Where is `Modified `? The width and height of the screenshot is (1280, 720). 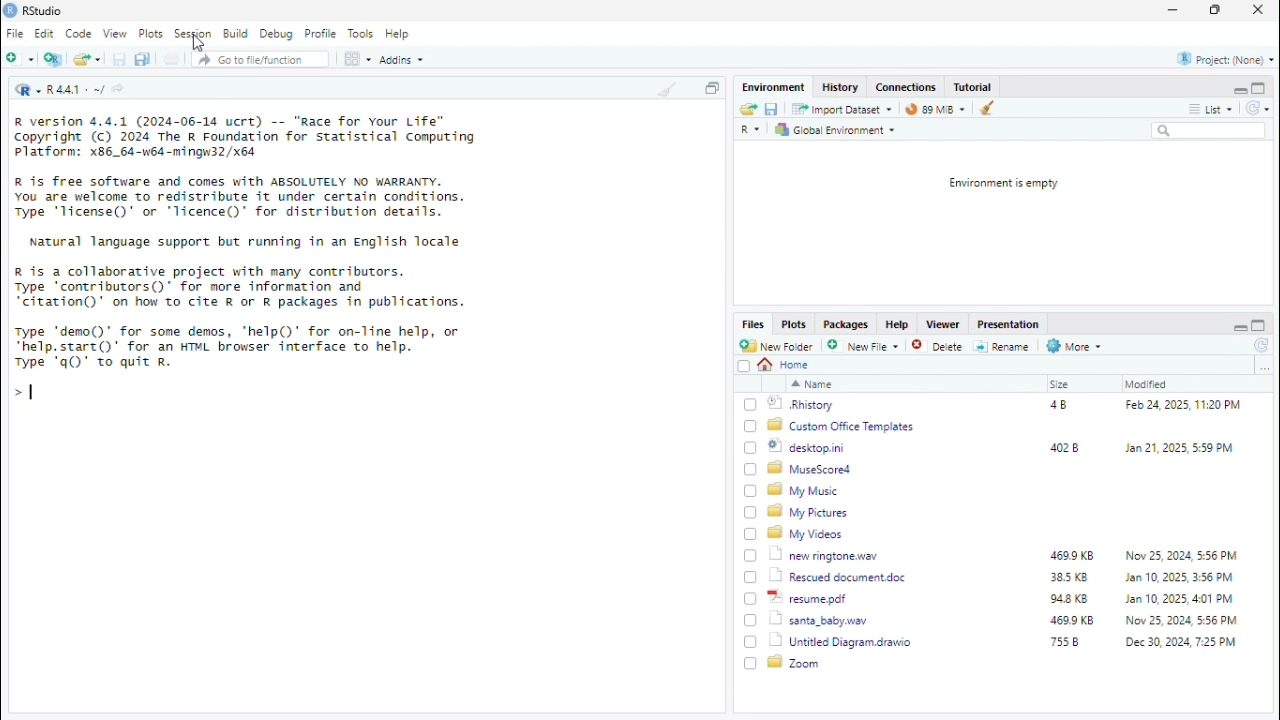 Modified  is located at coordinates (1147, 384).